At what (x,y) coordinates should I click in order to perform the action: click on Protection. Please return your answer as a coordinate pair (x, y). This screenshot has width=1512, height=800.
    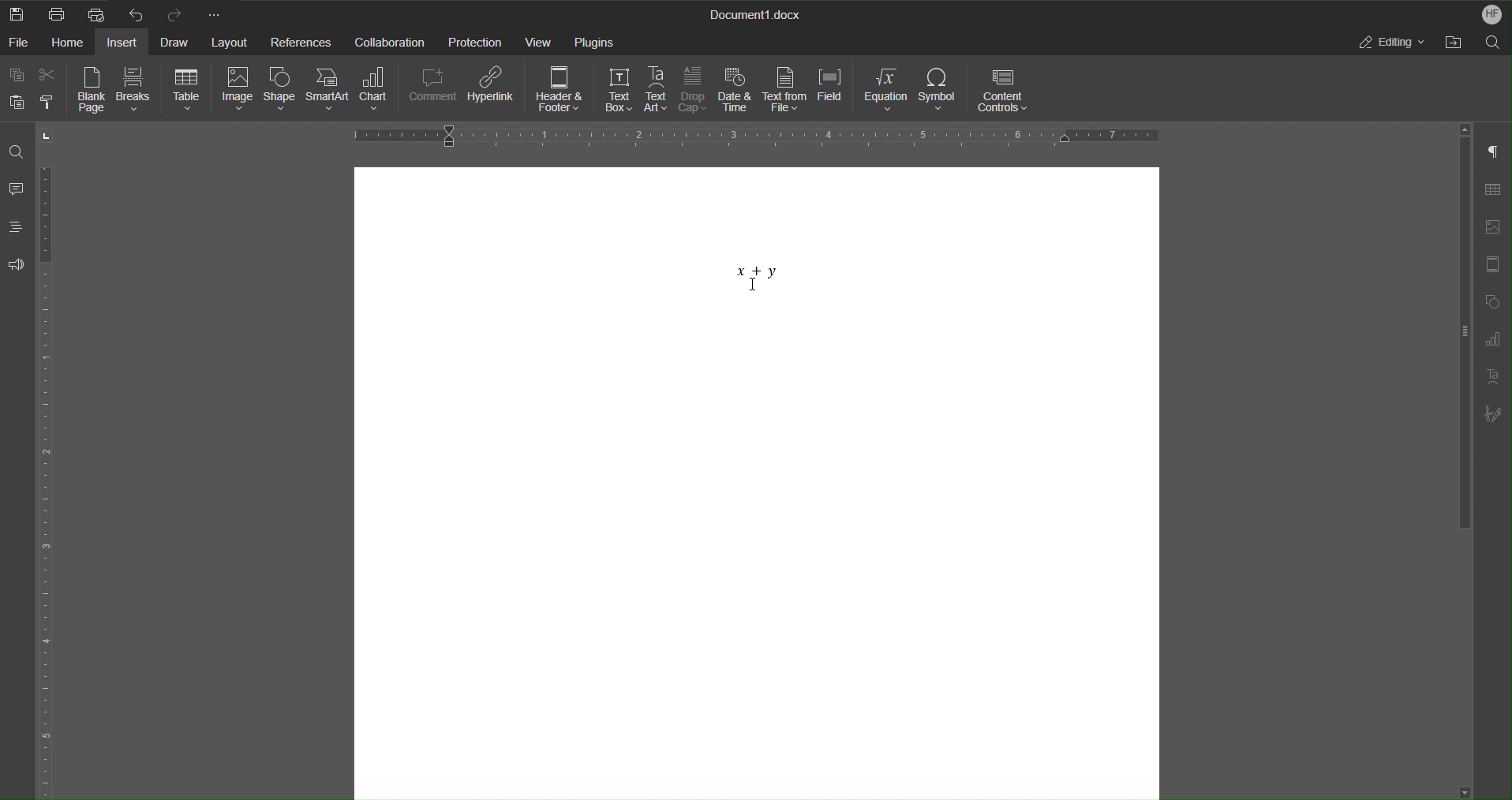
    Looking at the image, I should click on (478, 41).